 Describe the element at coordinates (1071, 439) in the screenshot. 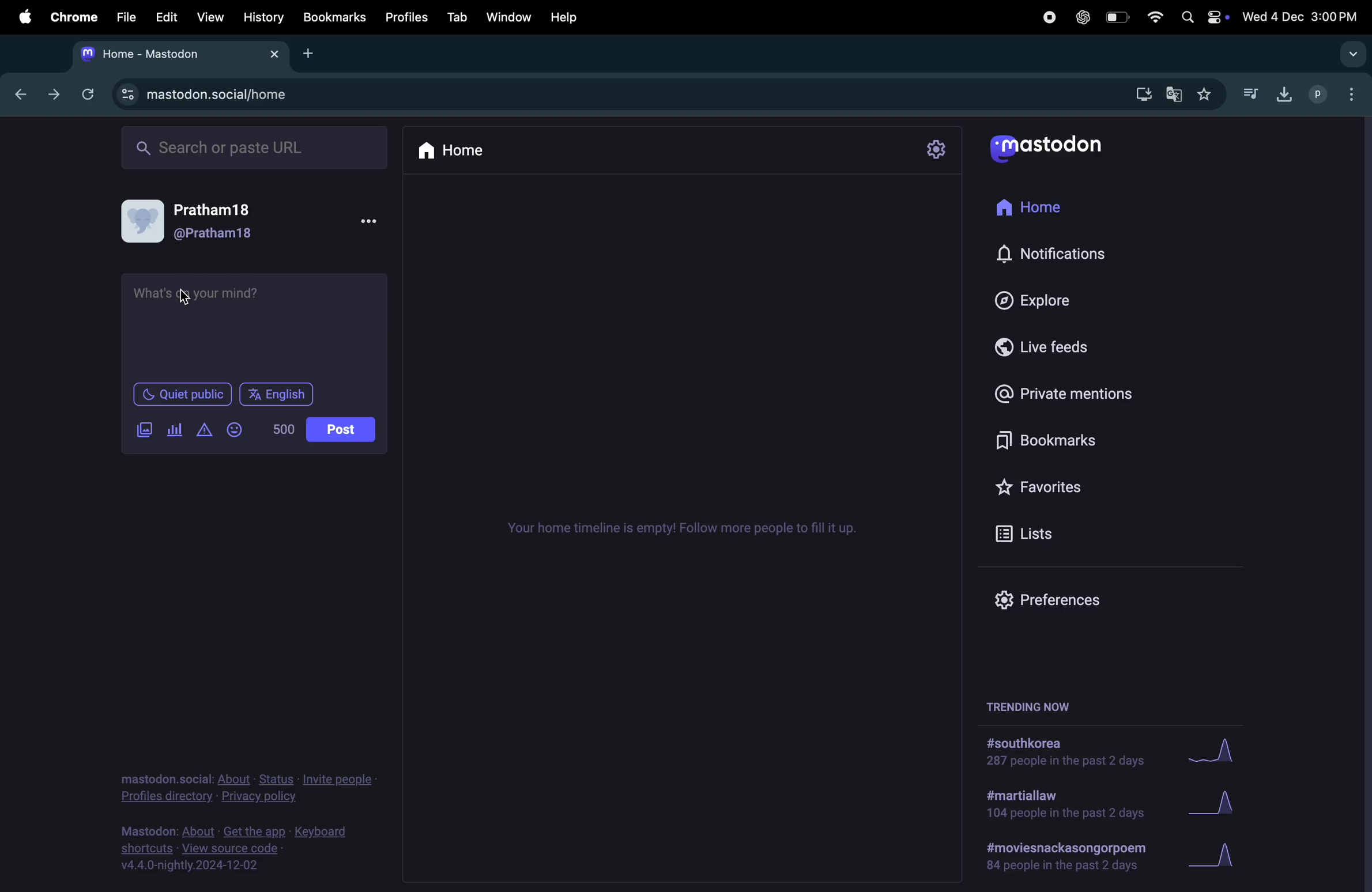

I see `Bookmark` at that location.